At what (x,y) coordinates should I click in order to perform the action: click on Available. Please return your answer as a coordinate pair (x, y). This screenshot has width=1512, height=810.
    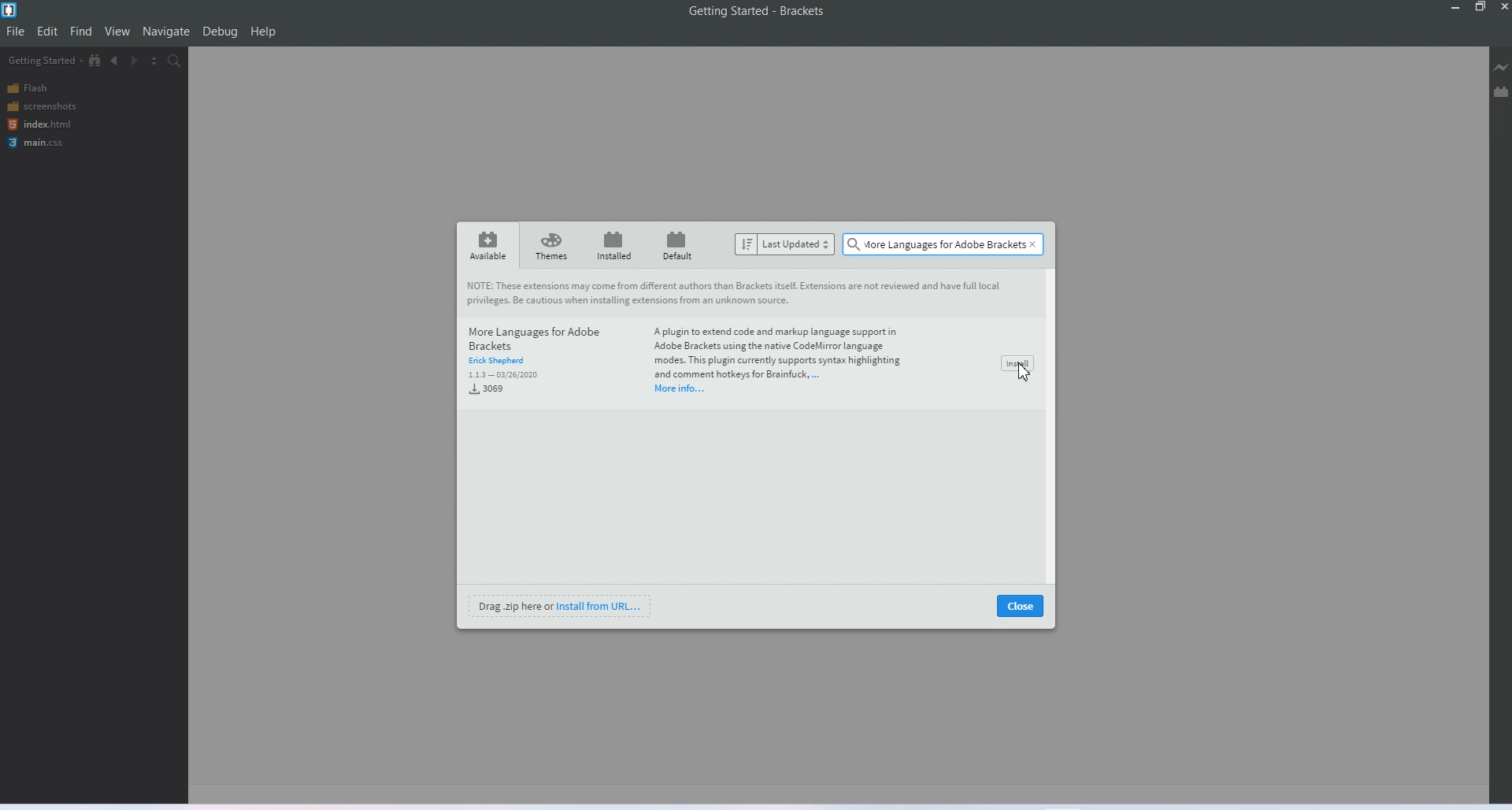
    Looking at the image, I should click on (489, 245).